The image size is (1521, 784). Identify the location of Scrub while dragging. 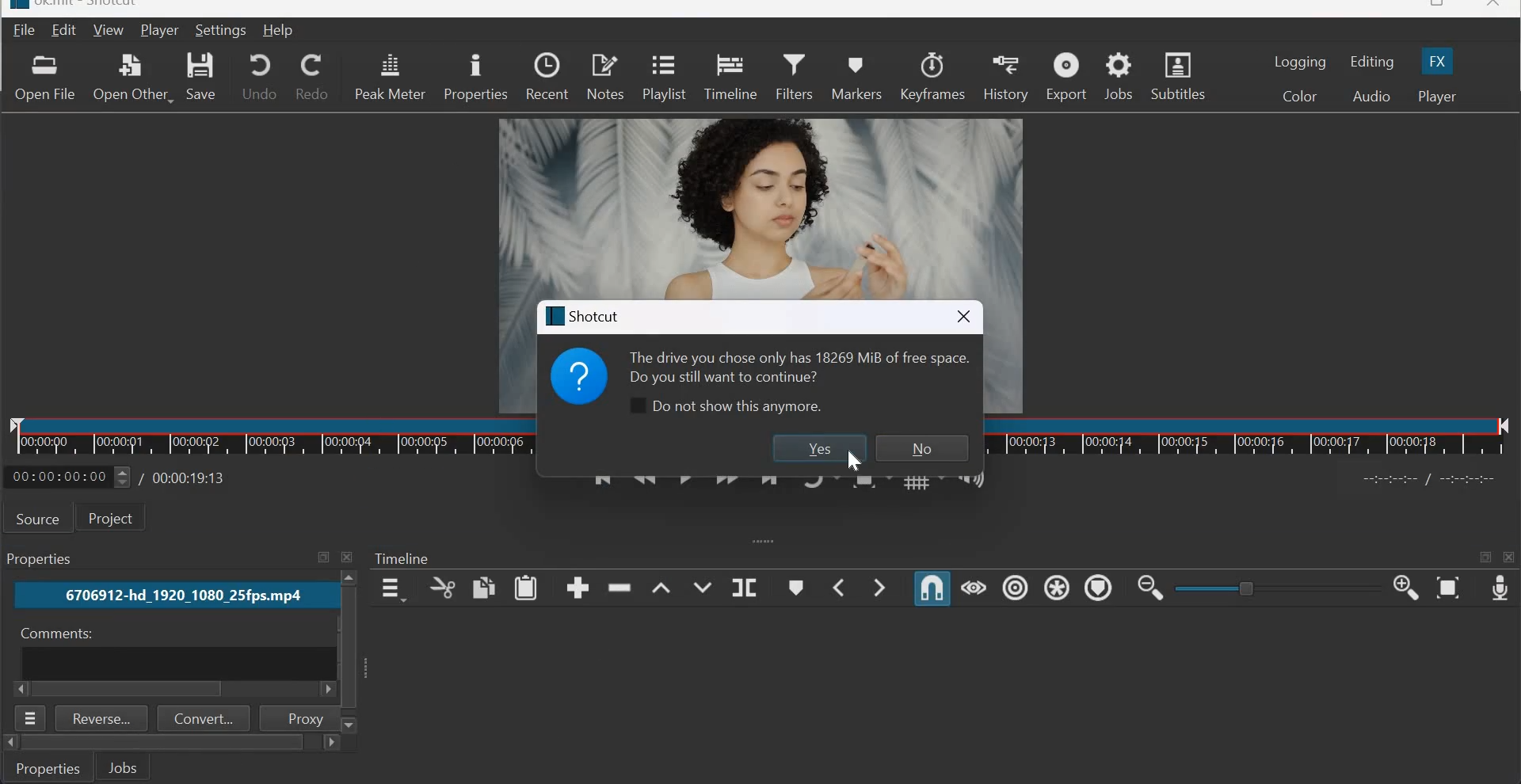
(974, 588).